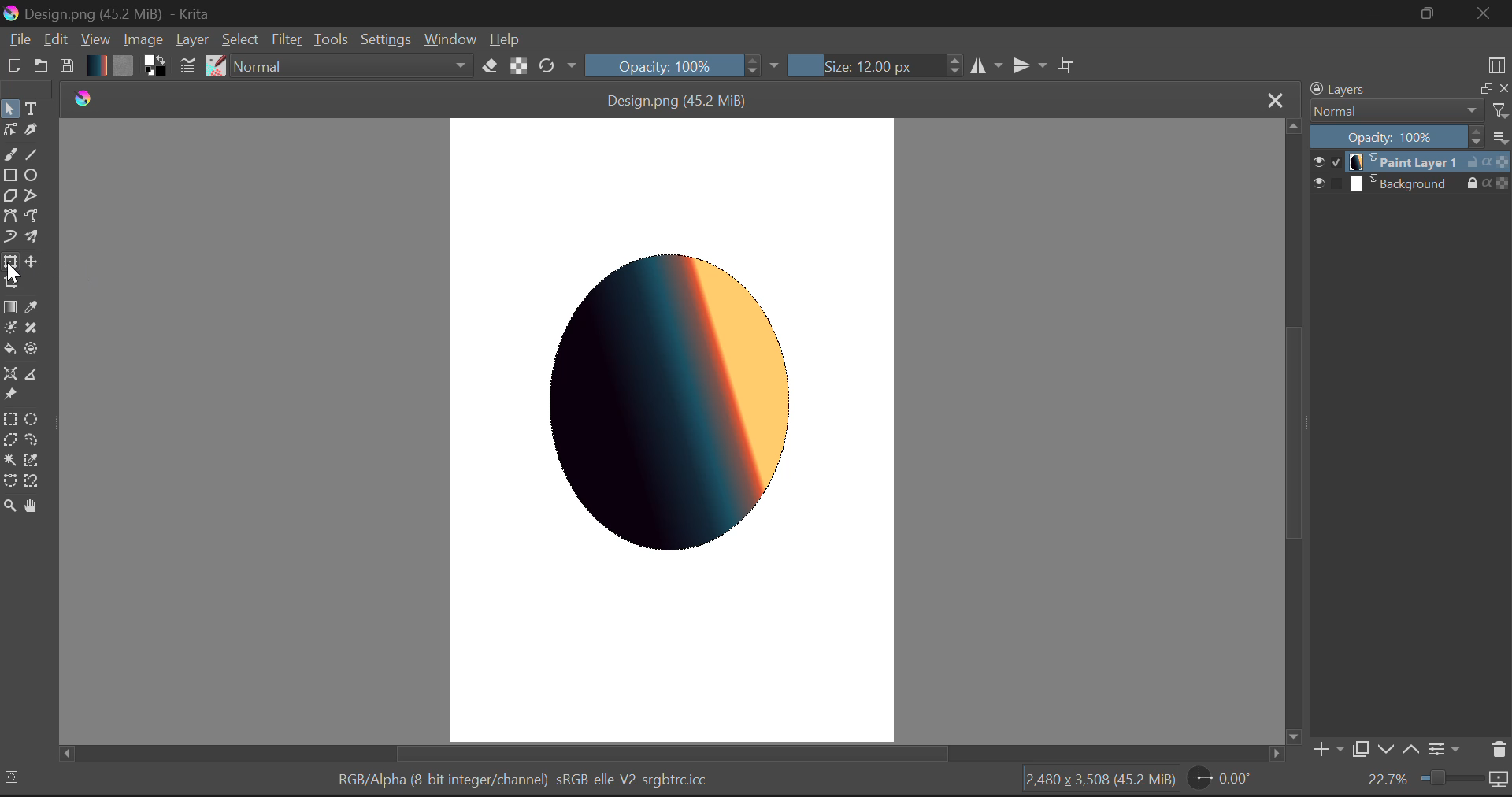 This screenshot has width=1512, height=797. Describe the element at coordinates (677, 404) in the screenshot. I see `Paint Layer Illustration` at that location.